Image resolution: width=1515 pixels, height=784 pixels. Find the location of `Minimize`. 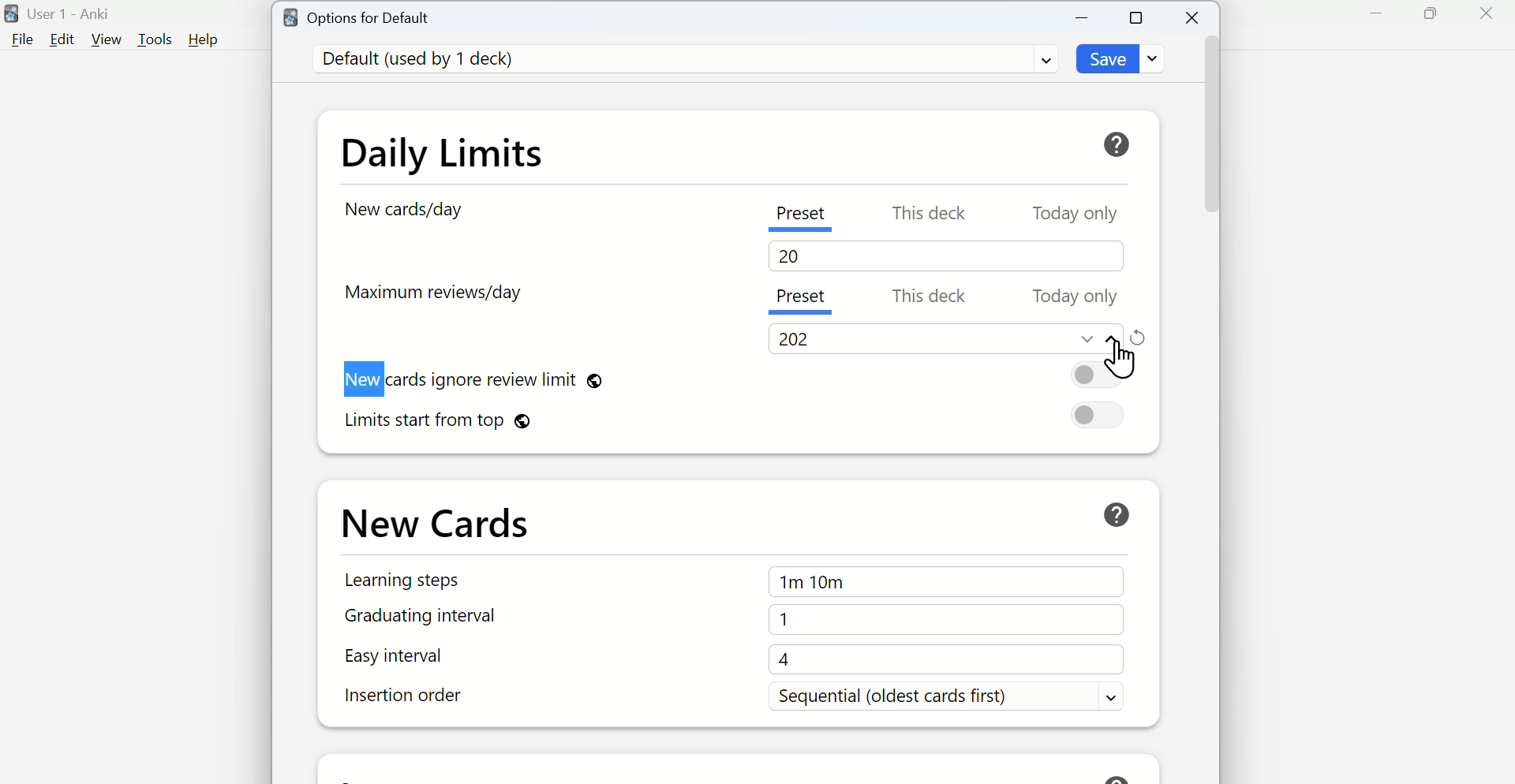

Minimize is located at coordinates (1083, 18).